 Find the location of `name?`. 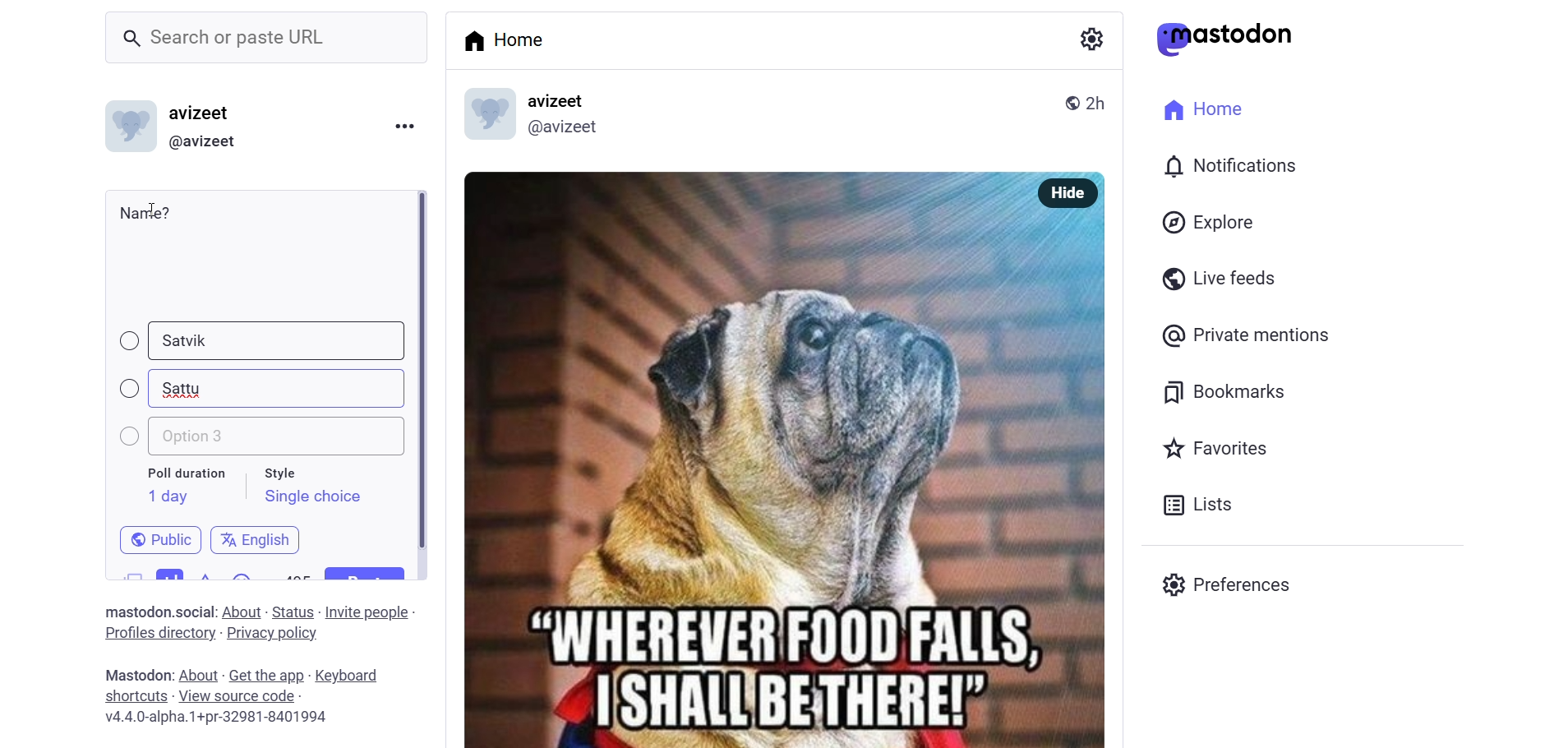

name? is located at coordinates (145, 212).